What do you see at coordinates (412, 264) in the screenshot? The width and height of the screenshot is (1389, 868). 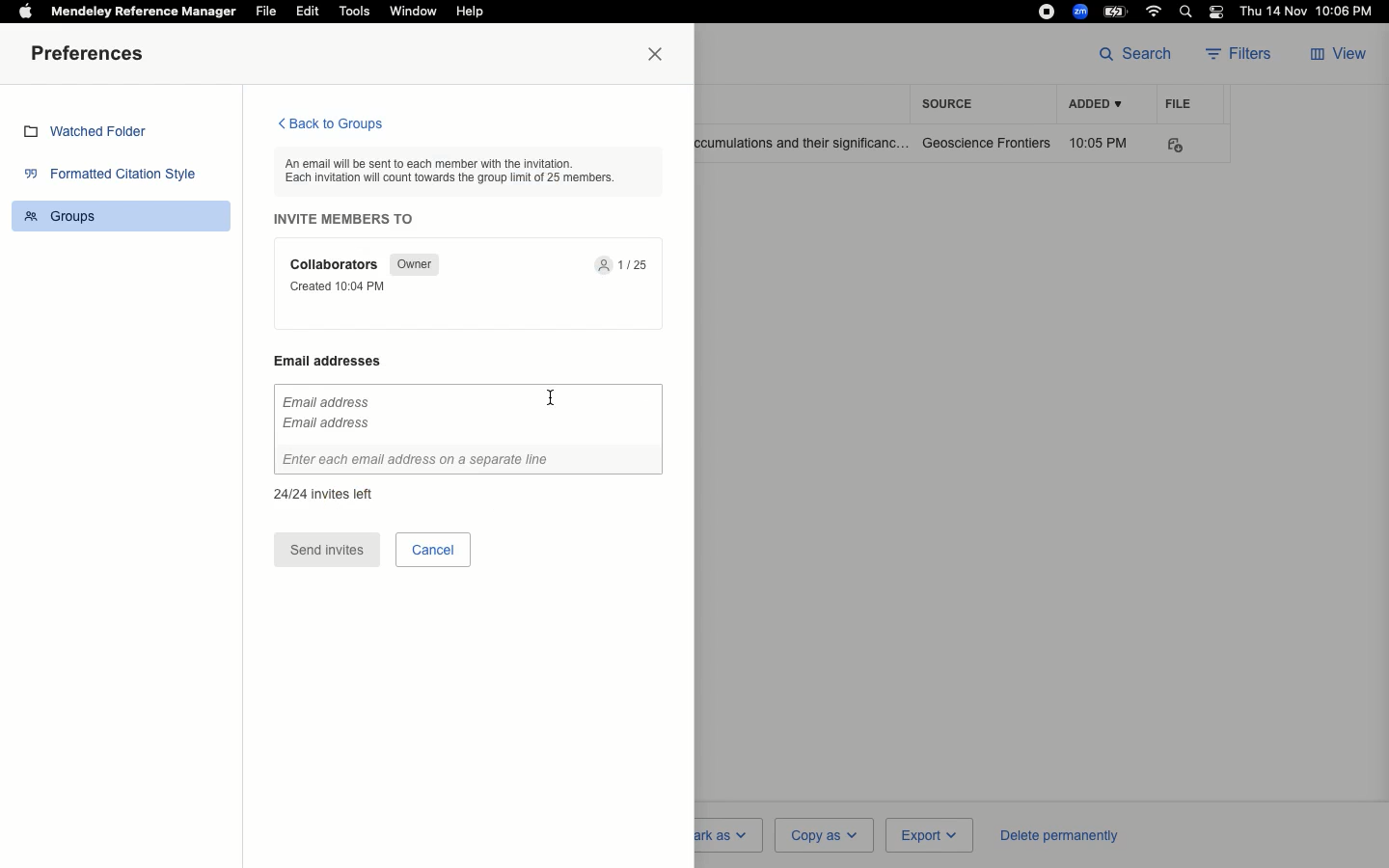 I see `Owner` at bounding box center [412, 264].